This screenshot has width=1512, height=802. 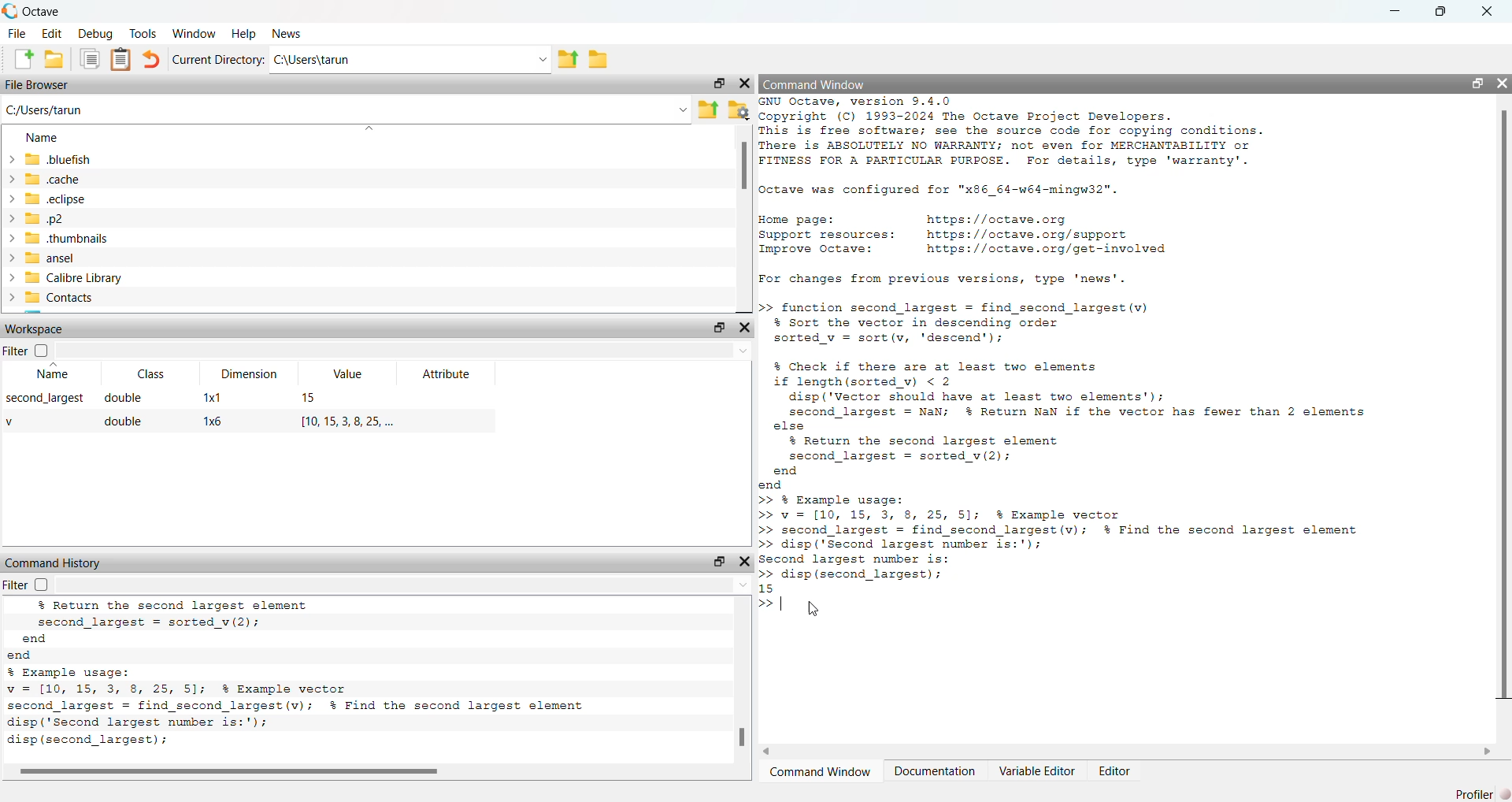 What do you see at coordinates (54, 61) in the screenshot?
I see `open an existing file in editor` at bounding box center [54, 61].